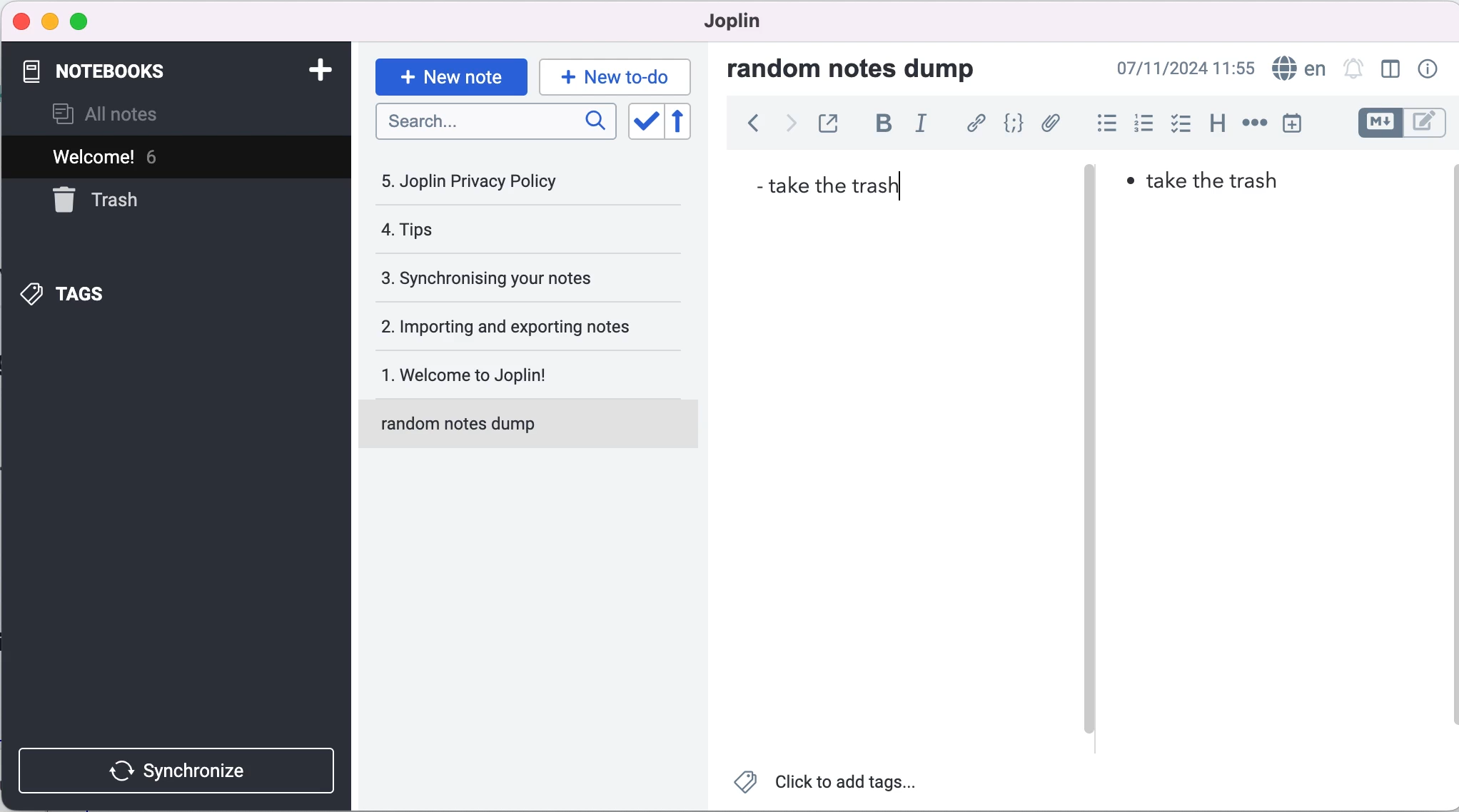 This screenshot has width=1459, height=812. What do you see at coordinates (1213, 125) in the screenshot?
I see `heading` at bounding box center [1213, 125].